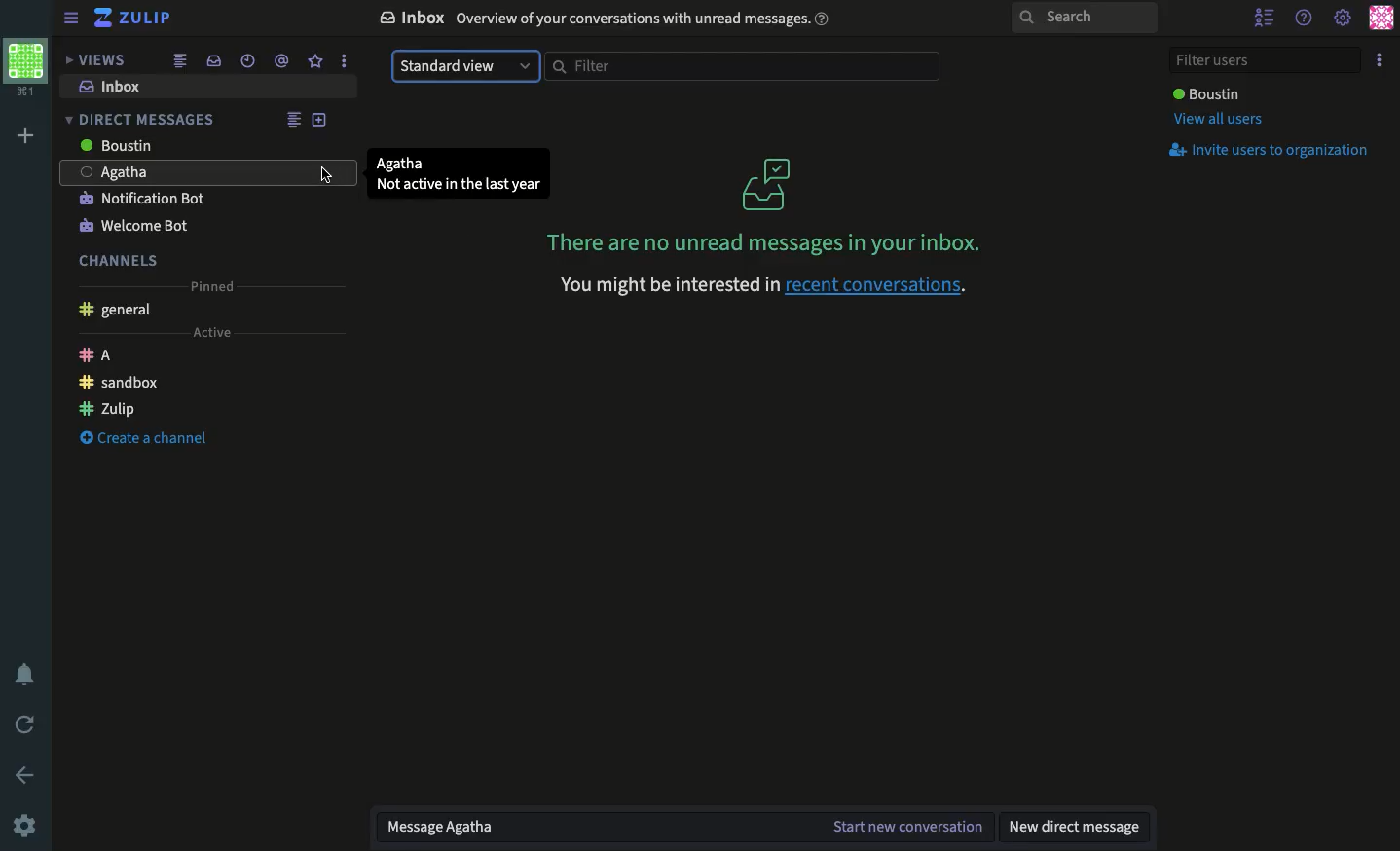 The height and width of the screenshot is (851, 1400). What do you see at coordinates (769, 283) in the screenshot?
I see `recent conversations` at bounding box center [769, 283].